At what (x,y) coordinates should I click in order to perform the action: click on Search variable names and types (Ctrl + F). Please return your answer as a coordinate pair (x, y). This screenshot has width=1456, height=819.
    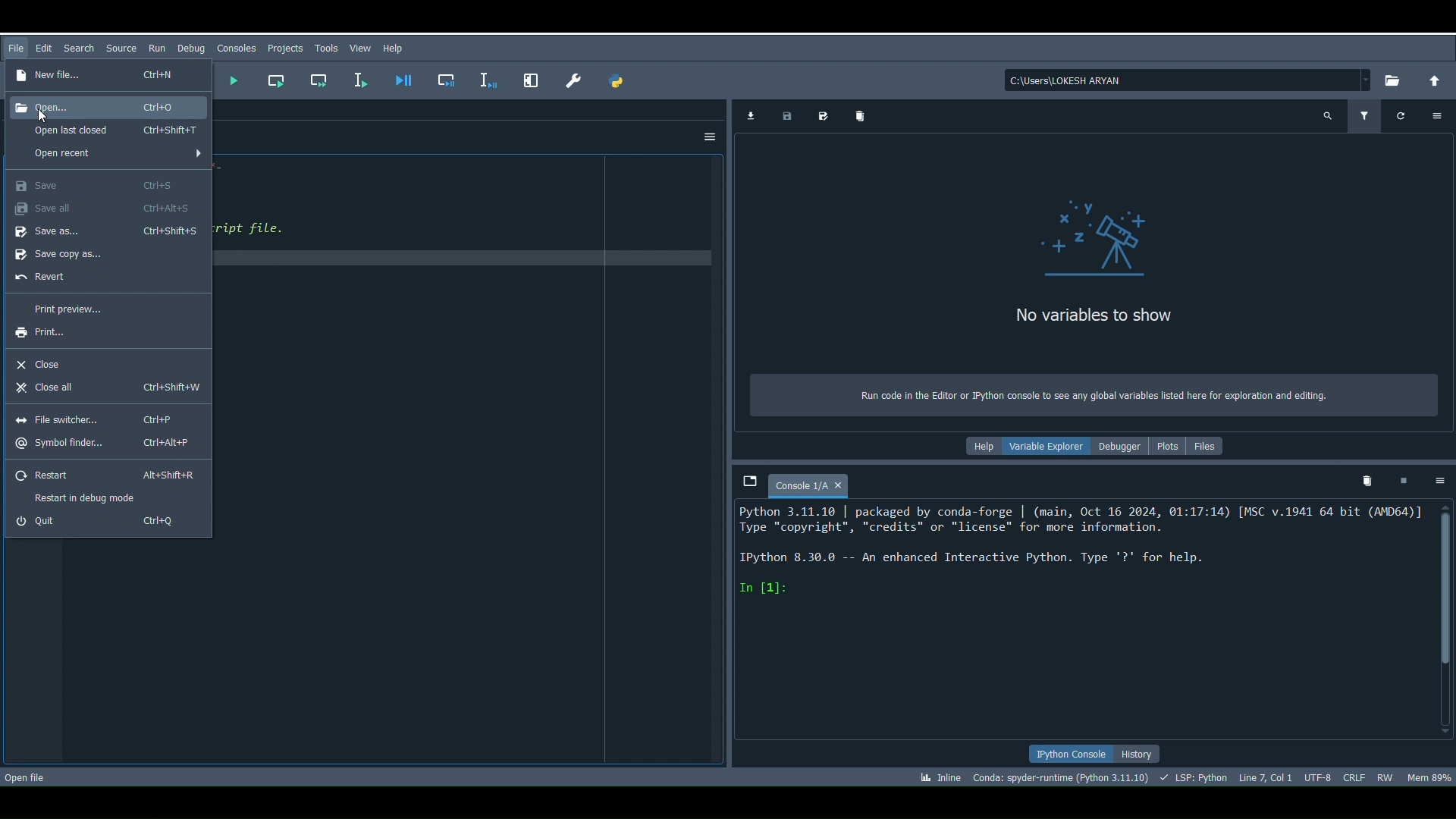
    Looking at the image, I should click on (1325, 117).